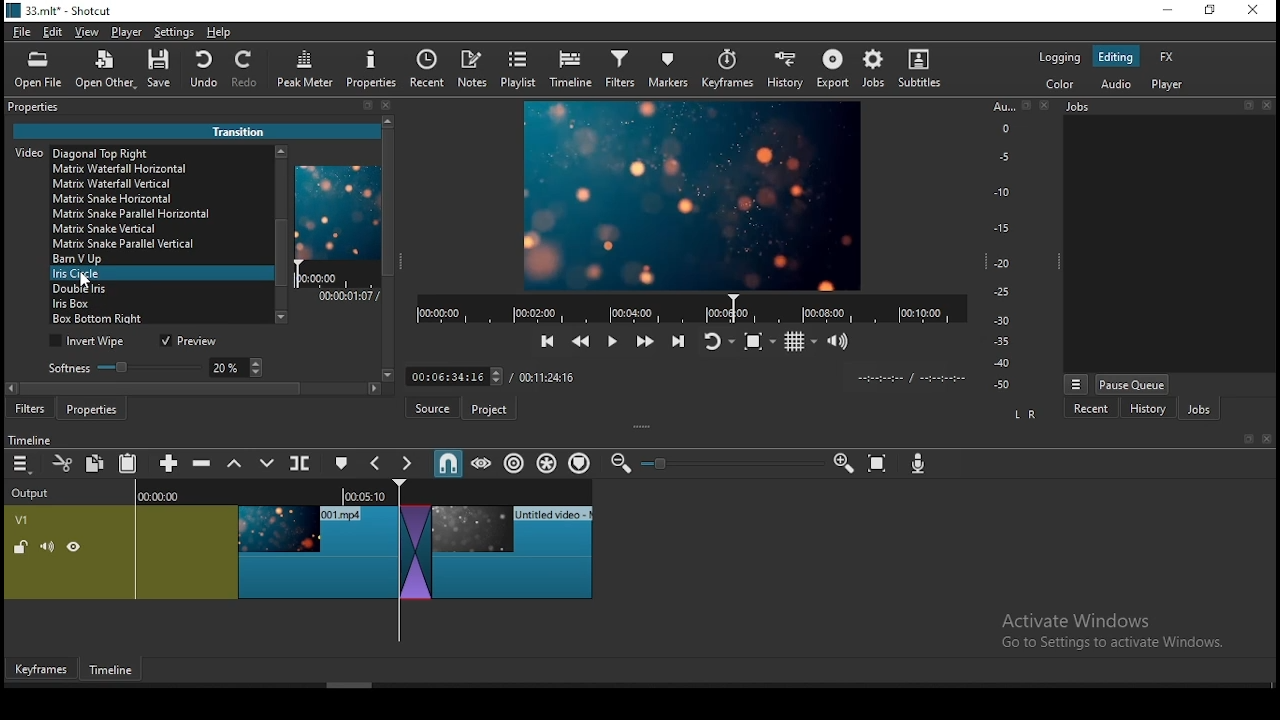  Describe the element at coordinates (879, 466) in the screenshot. I see `zoom timeline to fit` at that location.